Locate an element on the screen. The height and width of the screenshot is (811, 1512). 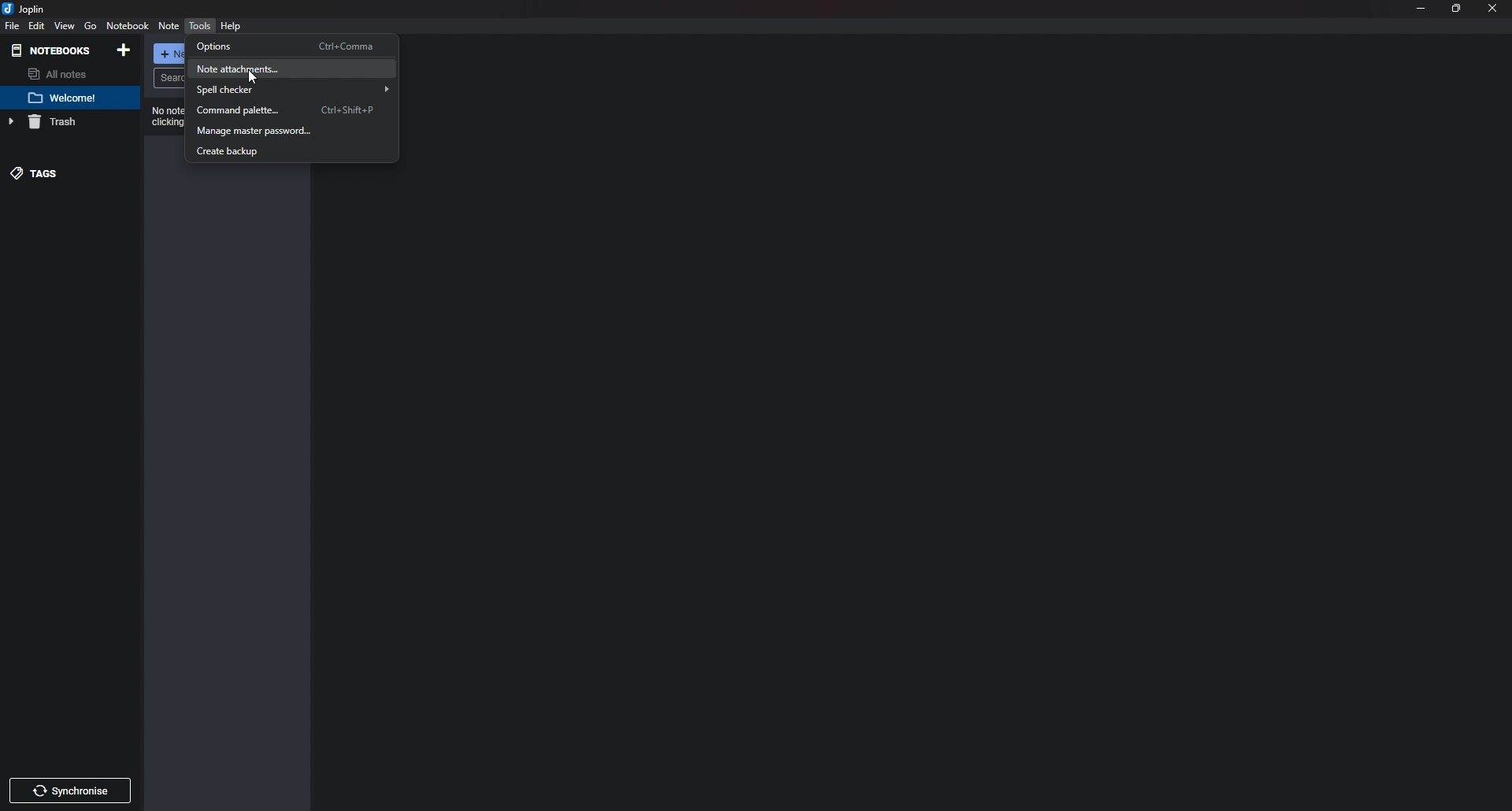
all note is located at coordinates (65, 75).